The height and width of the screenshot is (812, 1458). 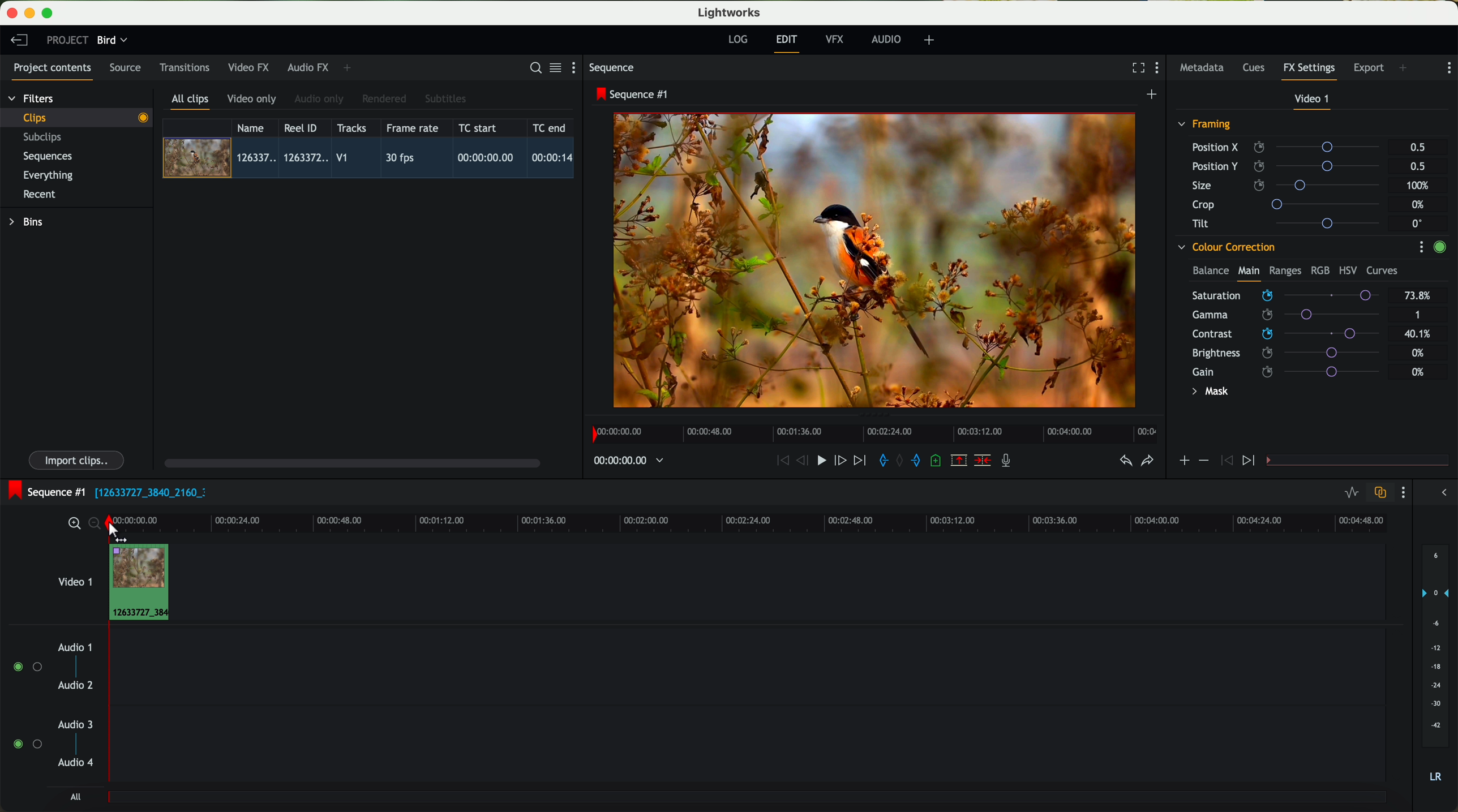 What do you see at coordinates (804, 462) in the screenshot?
I see `nudge one frame back` at bounding box center [804, 462].